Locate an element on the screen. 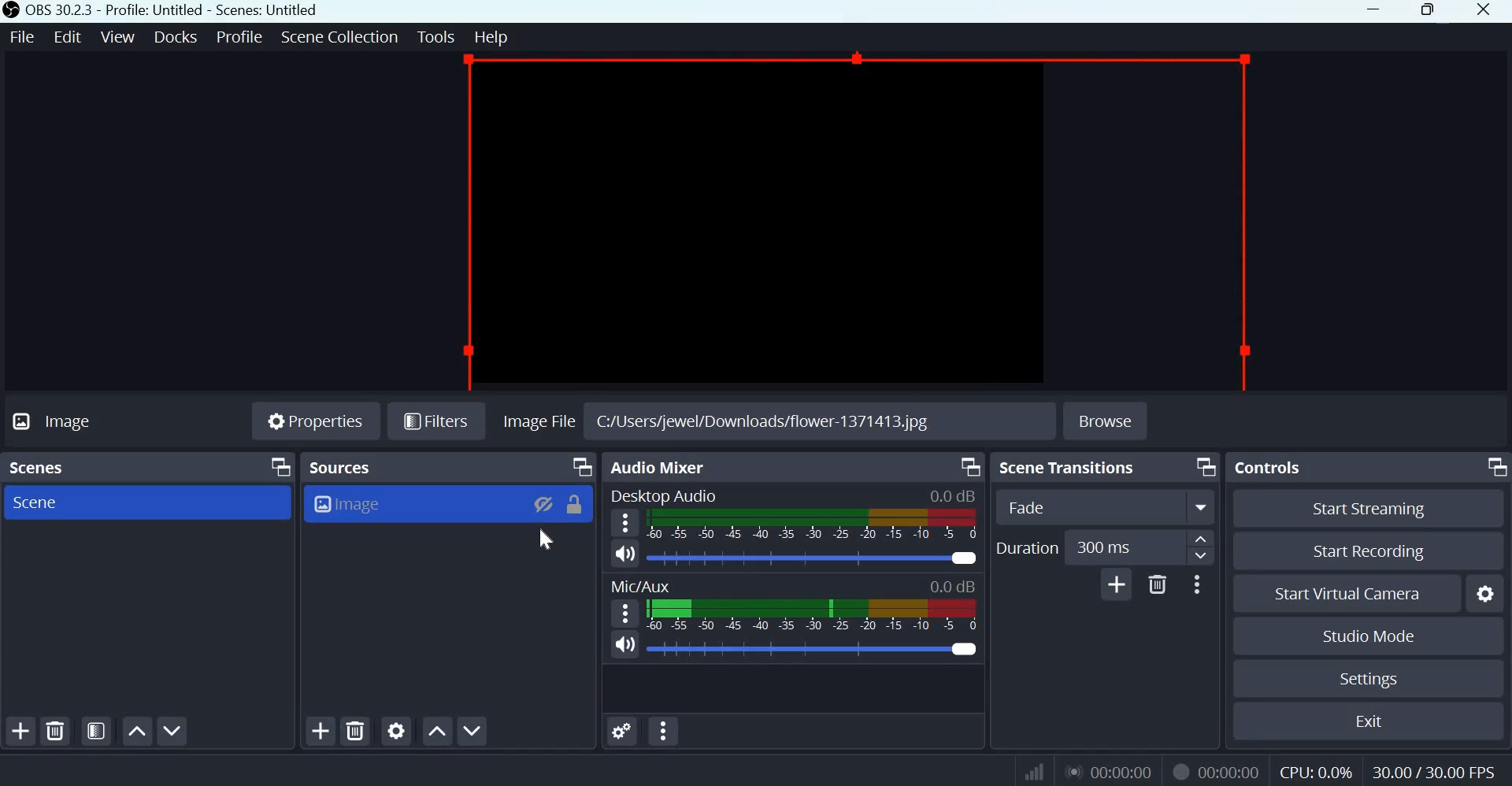  Dock Options icon is located at coordinates (277, 466).